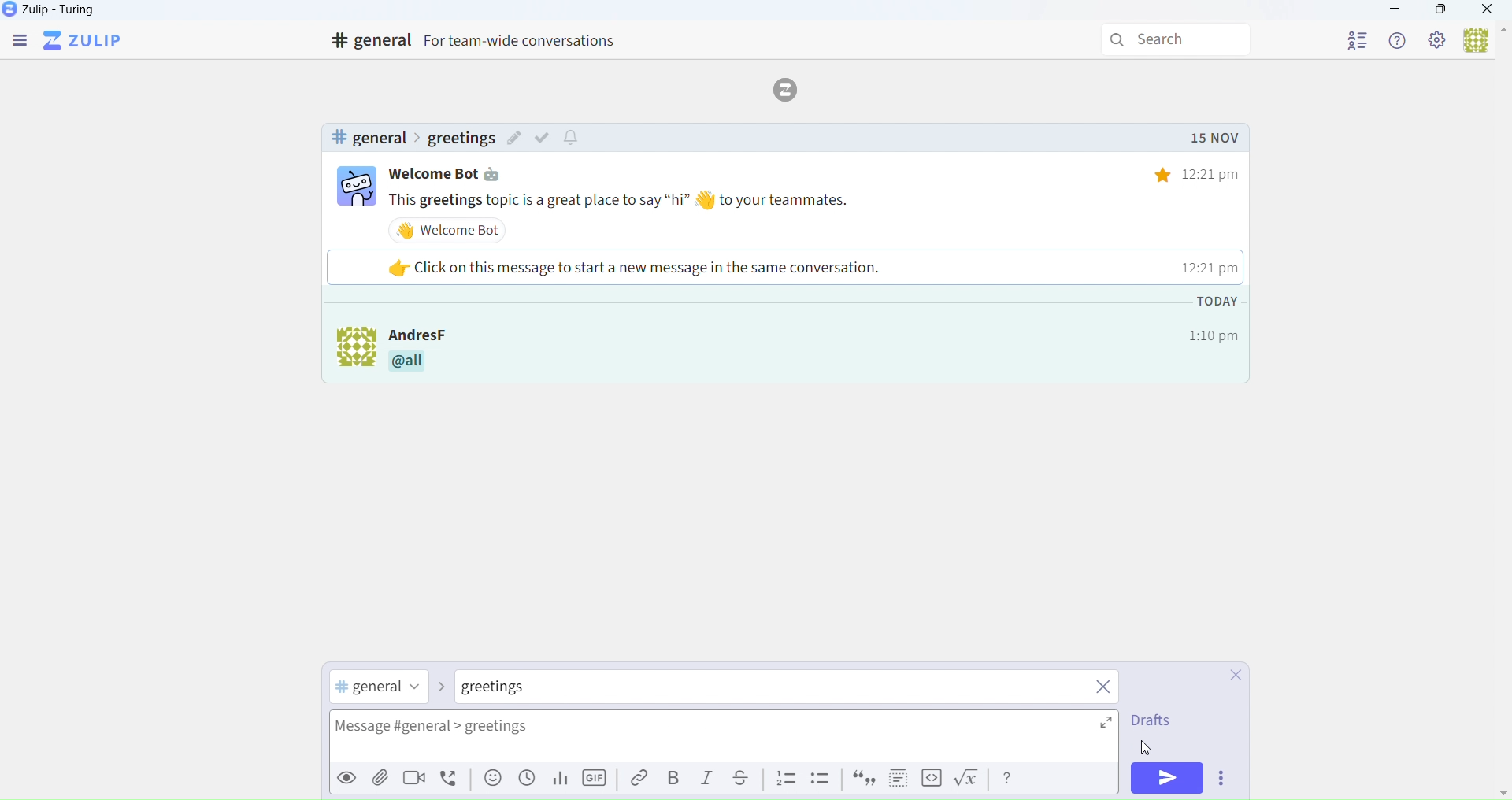 The height and width of the screenshot is (800, 1512). What do you see at coordinates (862, 780) in the screenshot?
I see `Quote` at bounding box center [862, 780].